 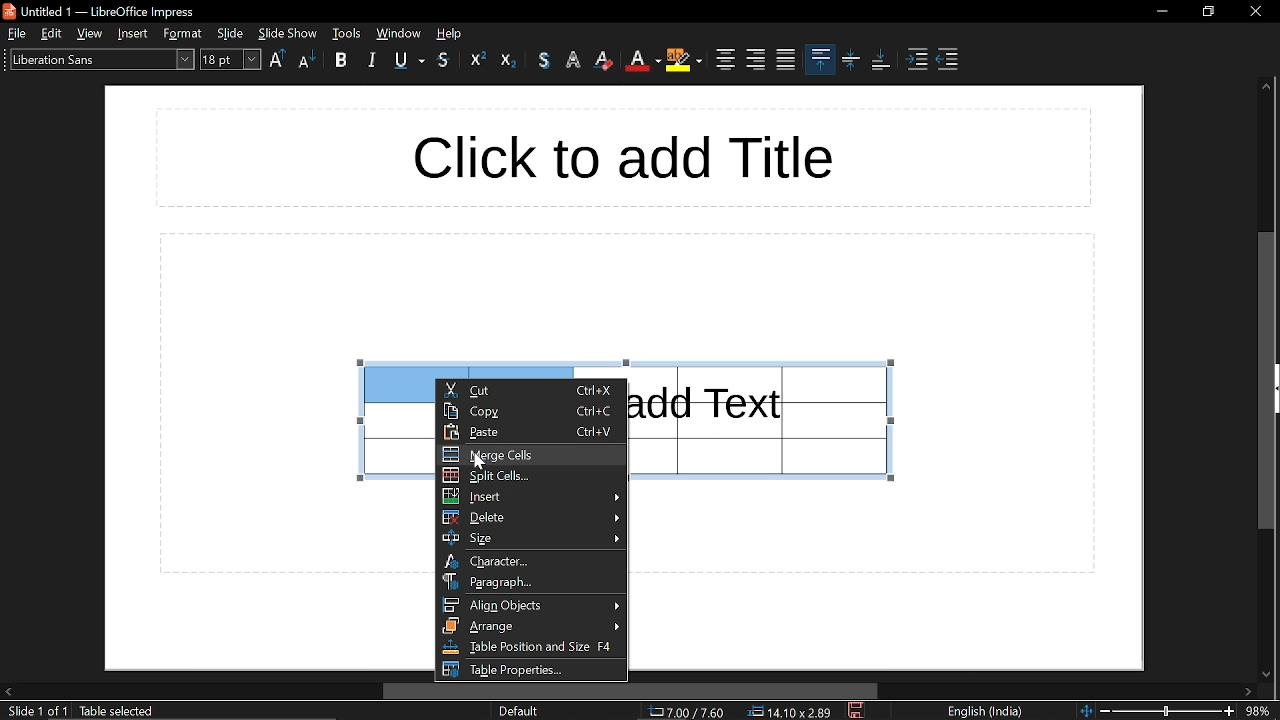 I want to click on cut, so click(x=531, y=389).